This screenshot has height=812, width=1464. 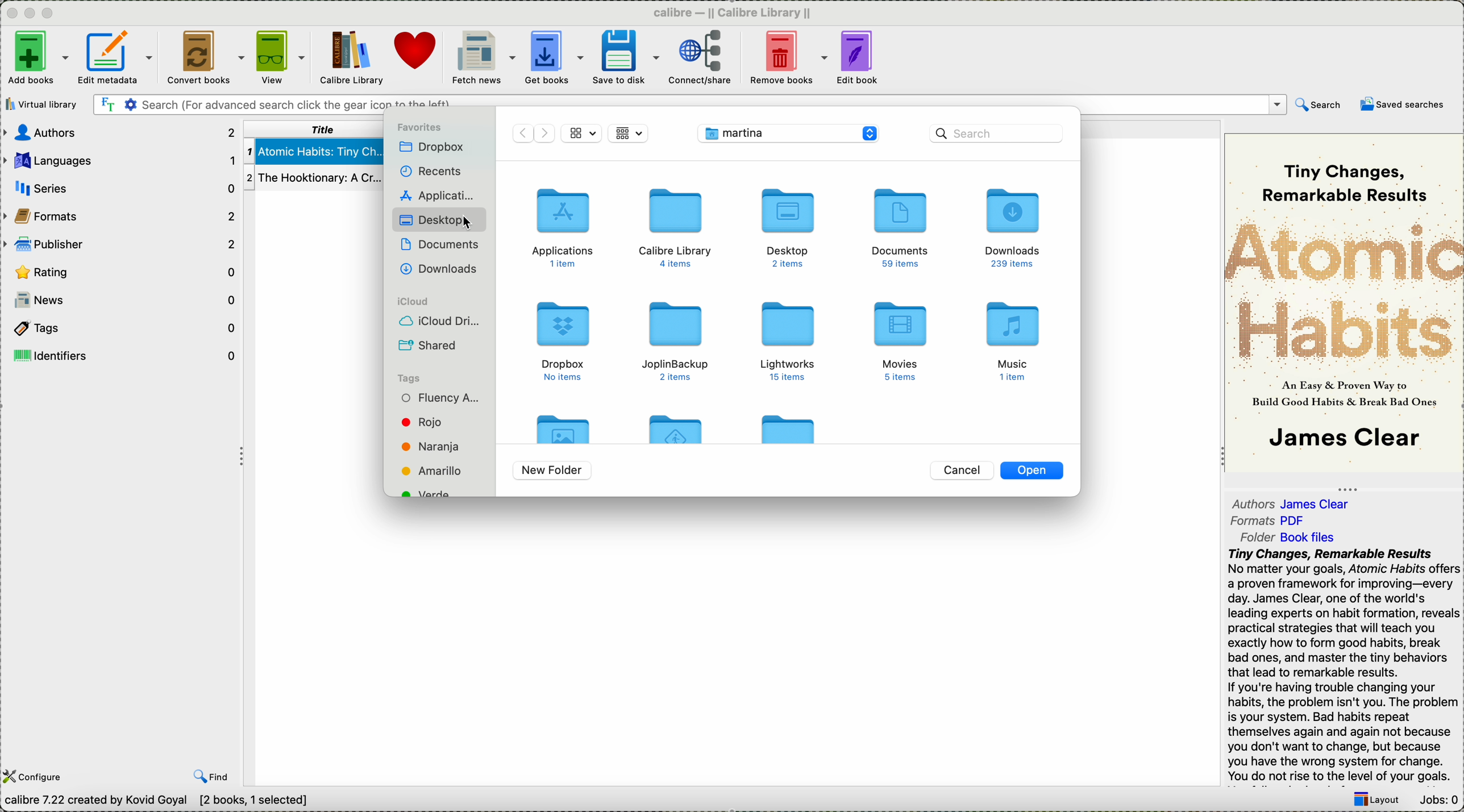 I want to click on languages, so click(x=120, y=160).